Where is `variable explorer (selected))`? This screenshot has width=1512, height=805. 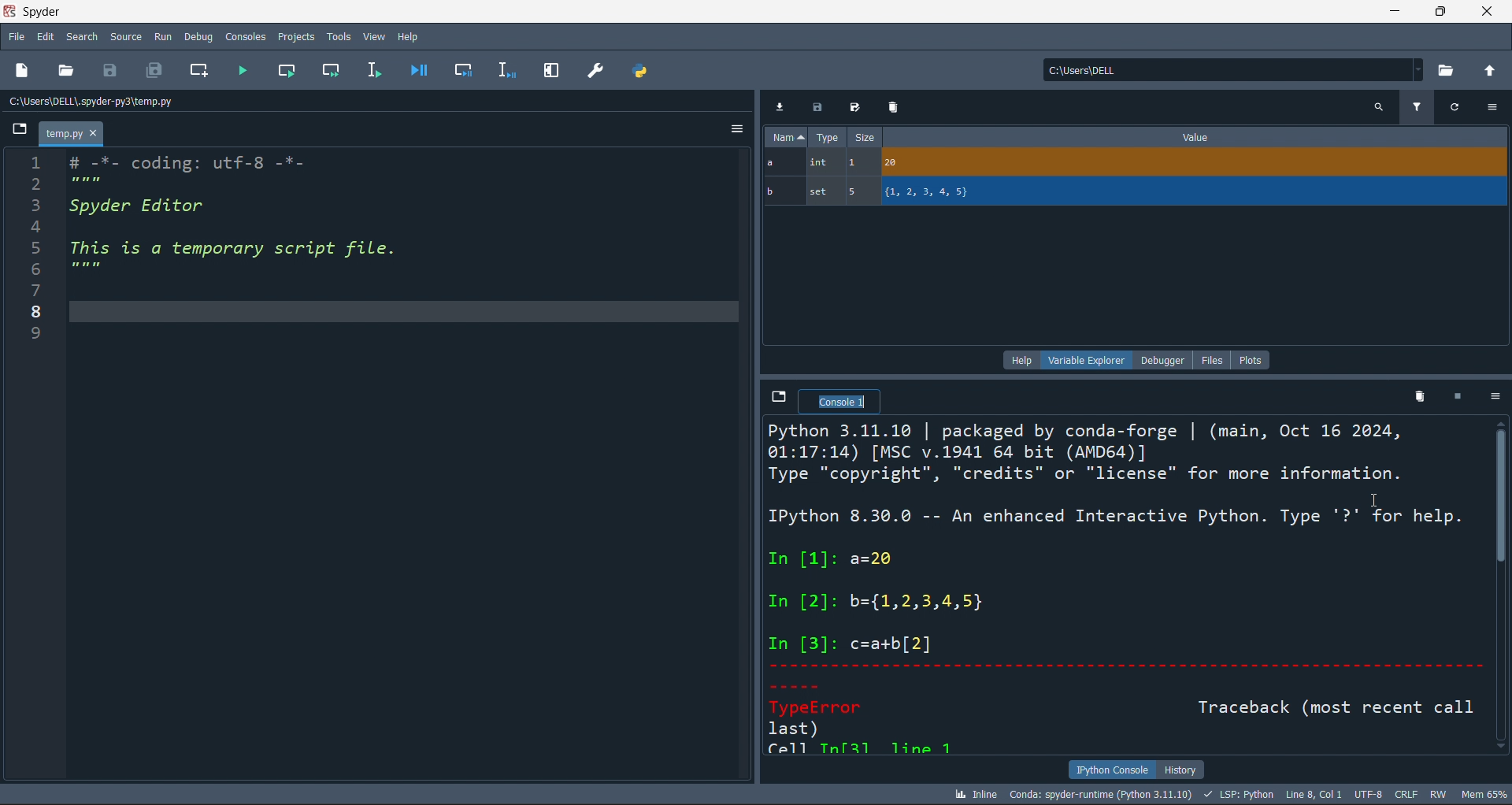
variable explorer (selected)) is located at coordinates (1086, 359).